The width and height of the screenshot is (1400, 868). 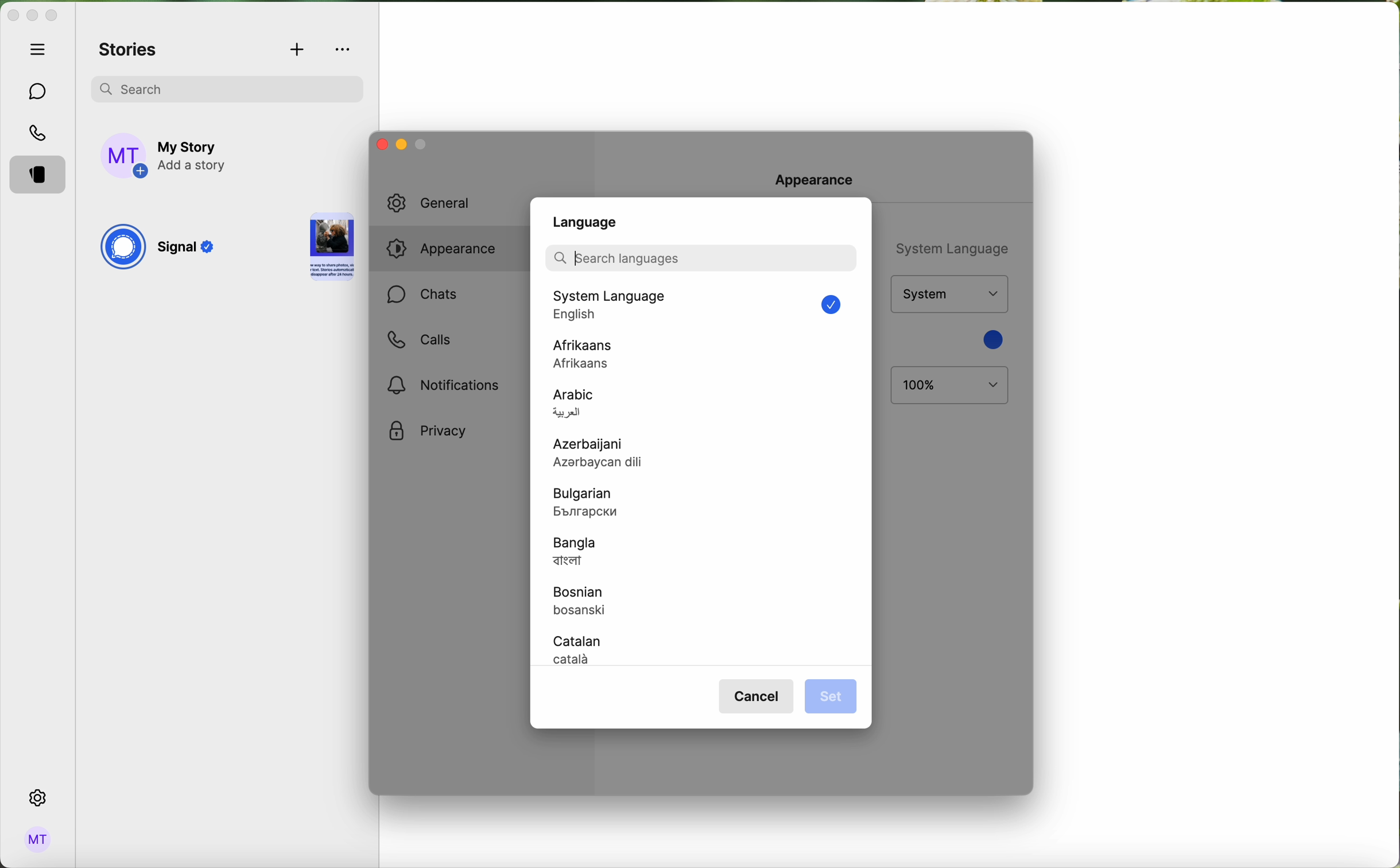 What do you see at coordinates (36, 840) in the screenshot?
I see `admin logo` at bounding box center [36, 840].